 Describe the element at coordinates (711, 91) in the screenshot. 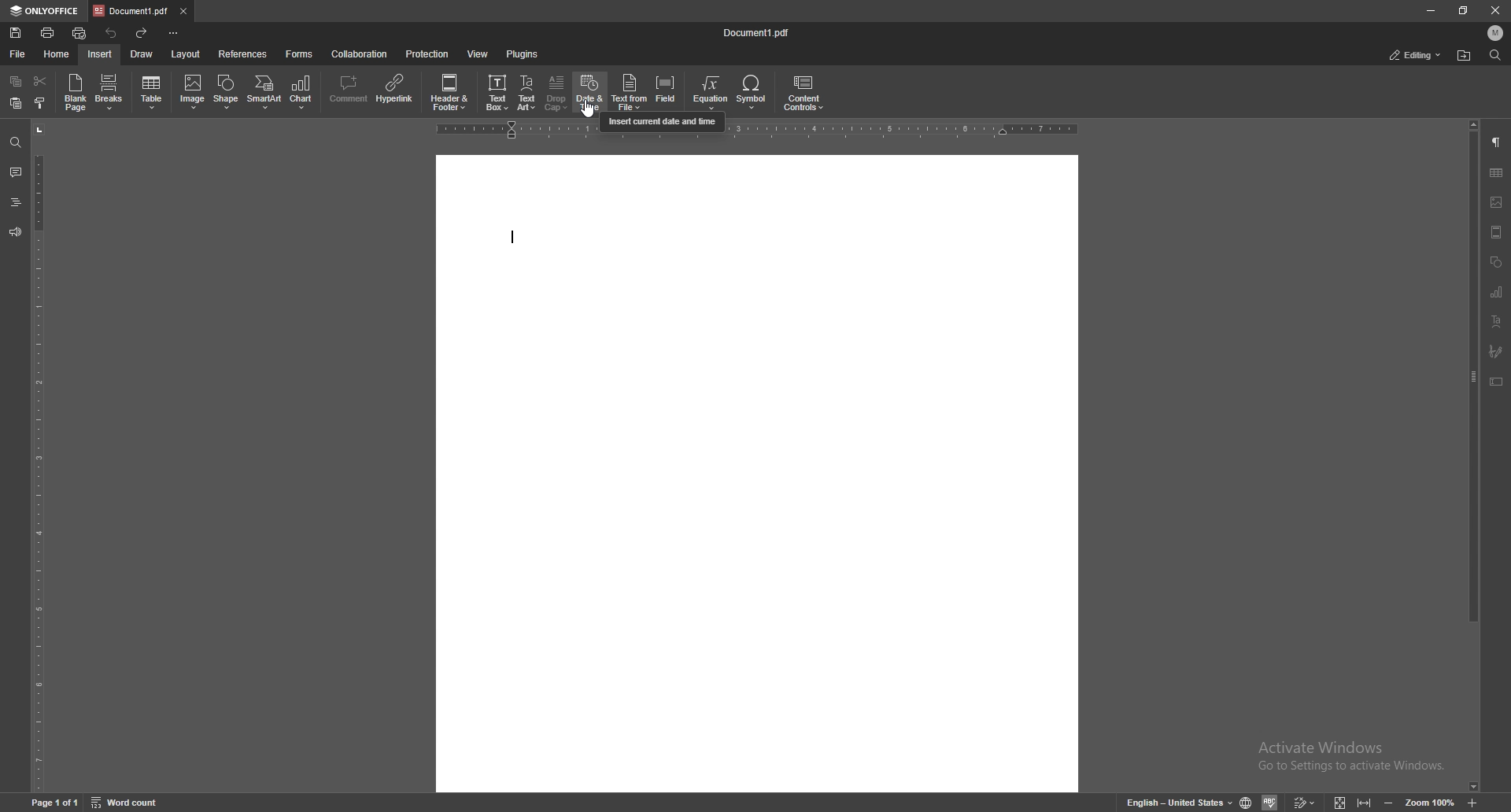

I see `equation` at that location.